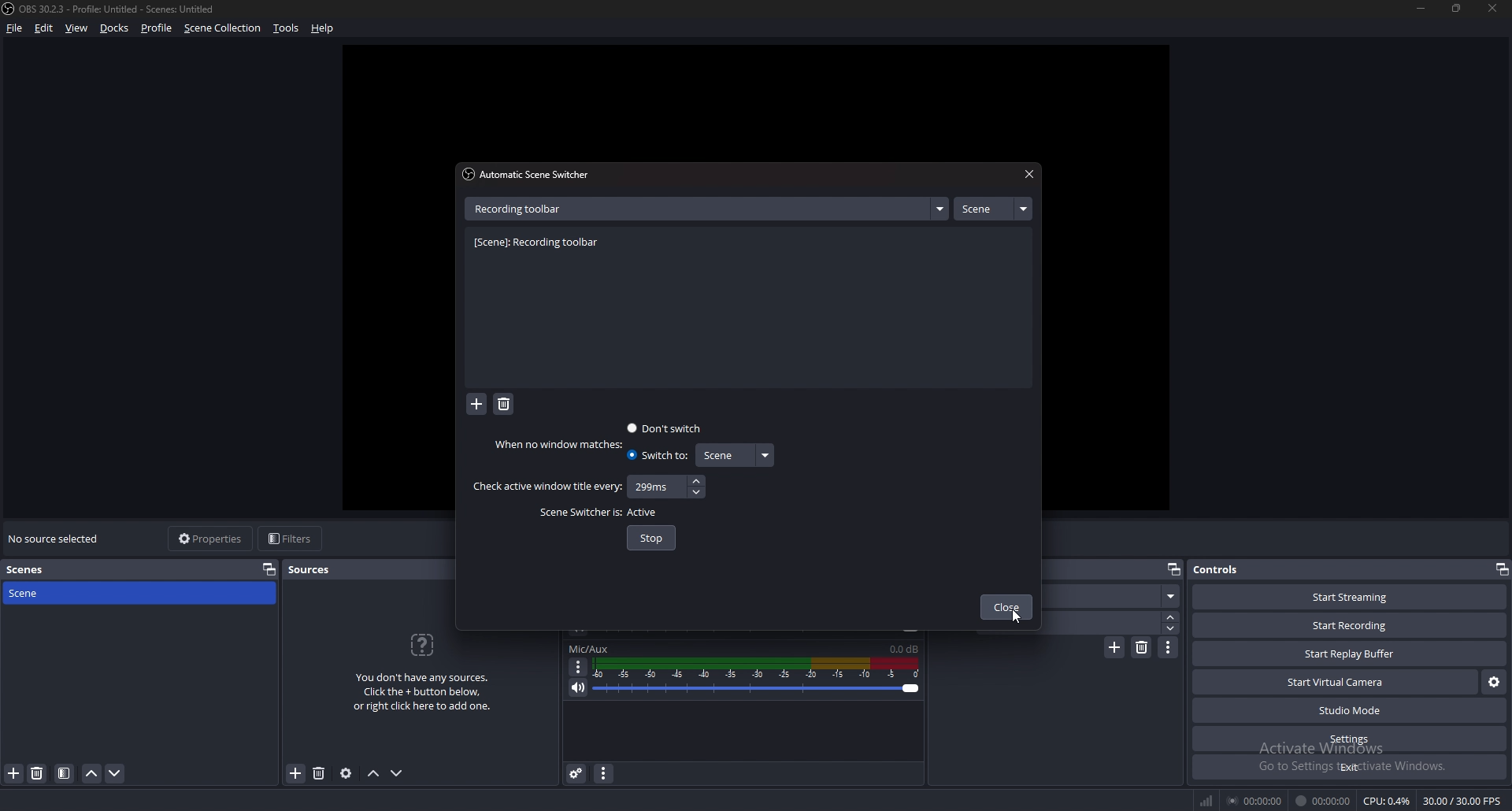 This screenshot has height=811, width=1512. What do you see at coordinates (579, 667) in the screenshot?
I see `options` at bounding box center [579, 667].